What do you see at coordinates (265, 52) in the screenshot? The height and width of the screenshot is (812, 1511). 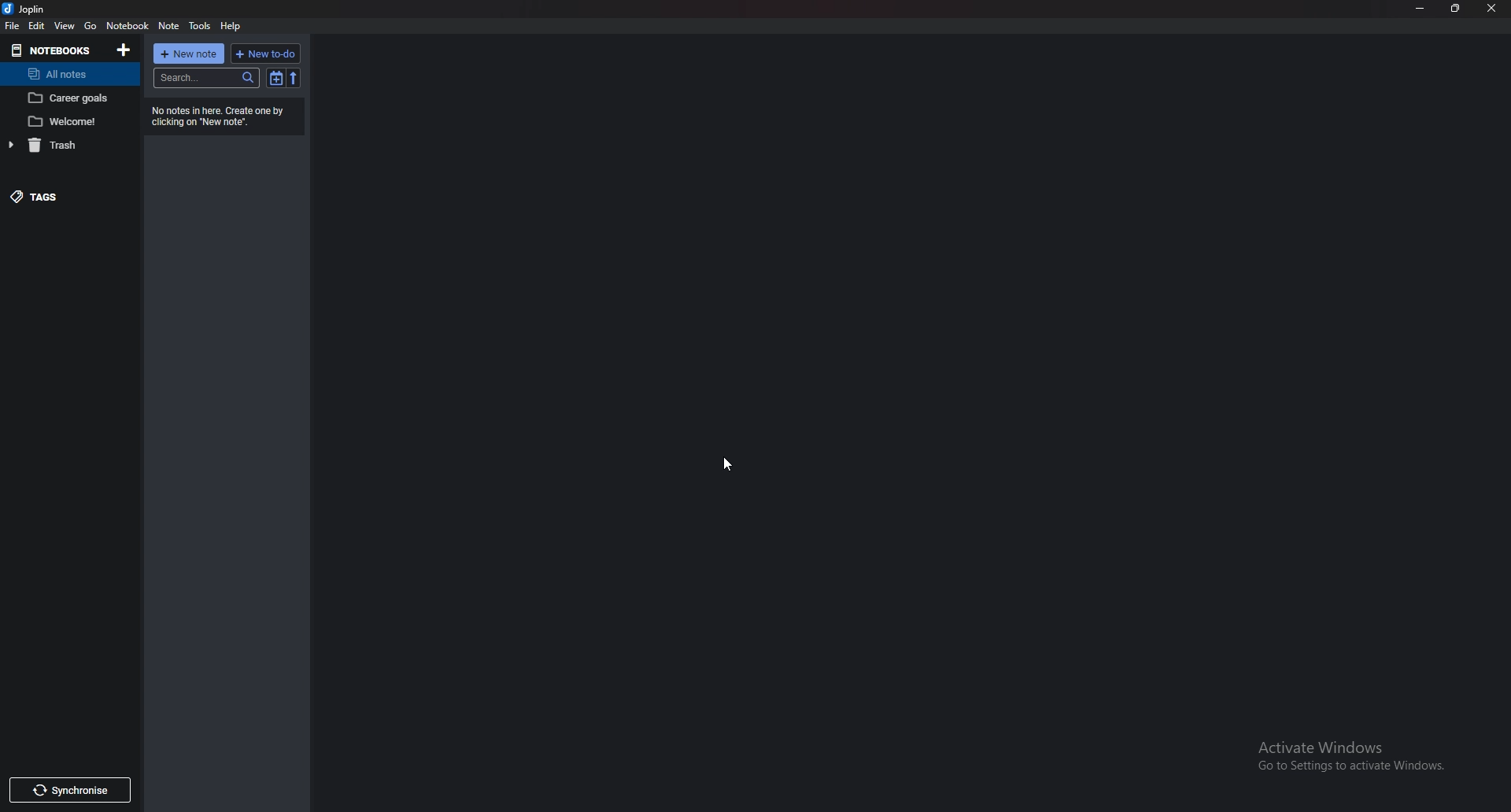 I see `new todo` at bounding box center [265, 52].